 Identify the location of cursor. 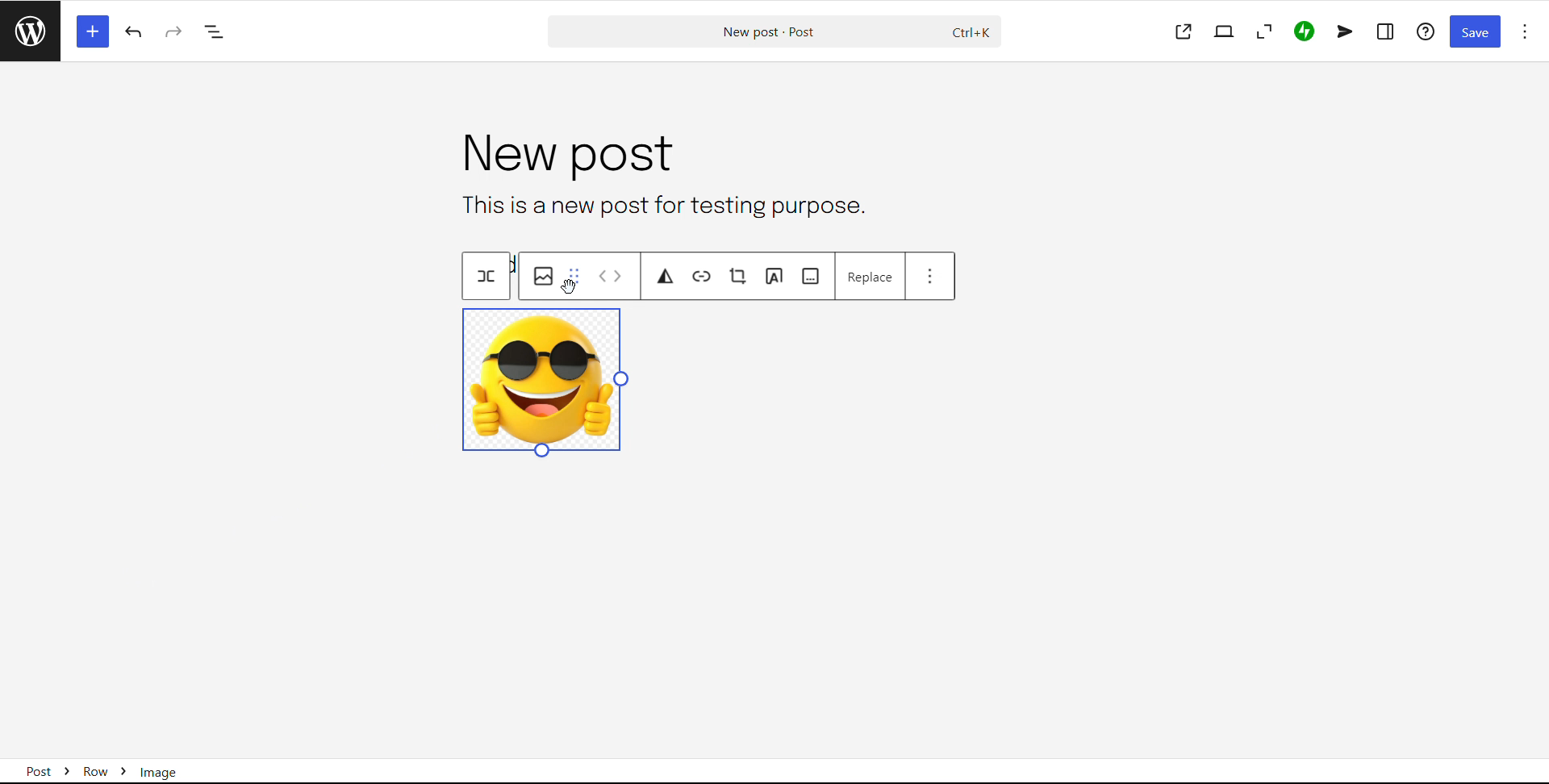
(569, 286).